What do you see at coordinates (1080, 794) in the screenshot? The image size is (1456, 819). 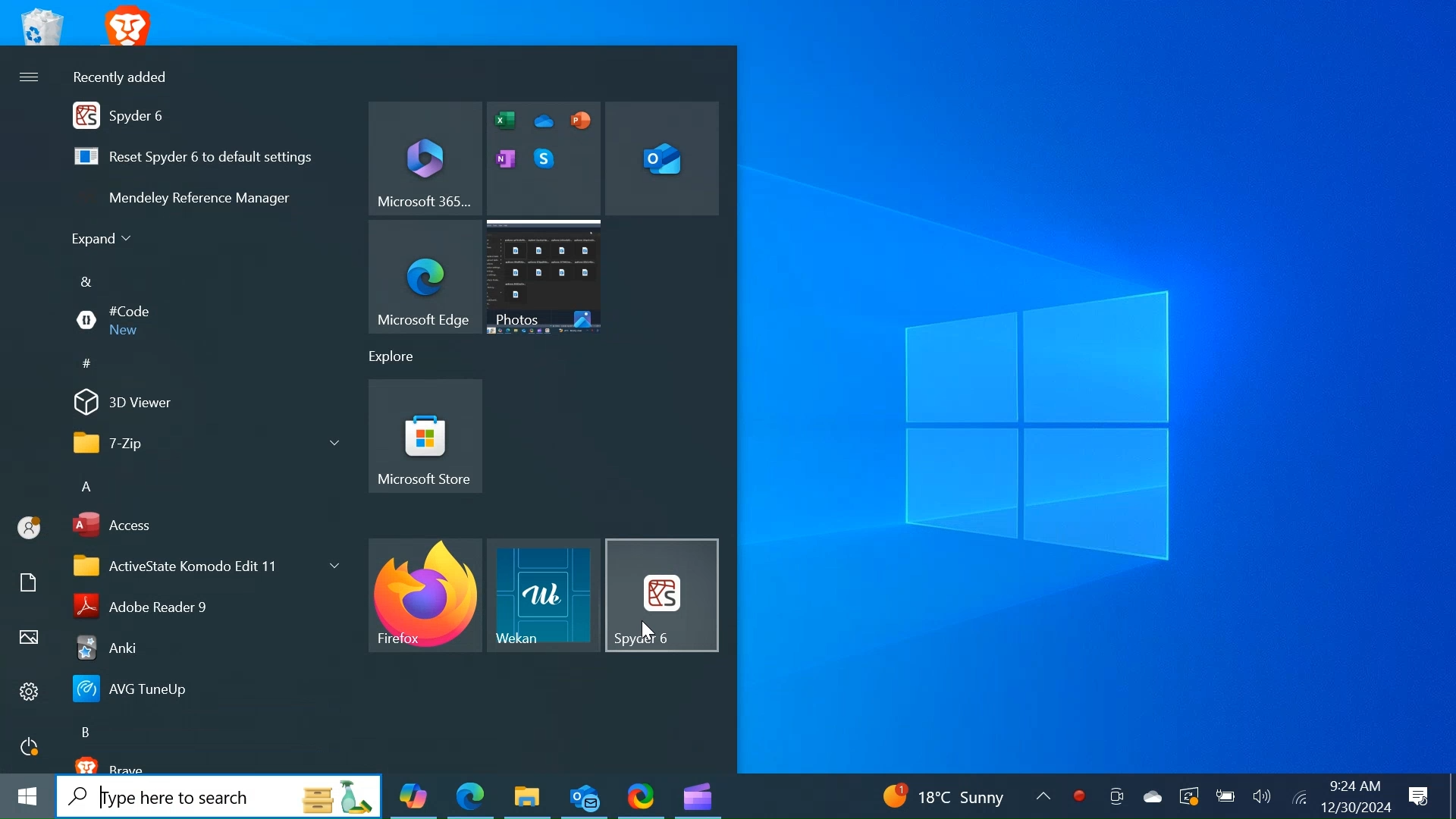 I see `Record` at bounding box center [1080, 794].